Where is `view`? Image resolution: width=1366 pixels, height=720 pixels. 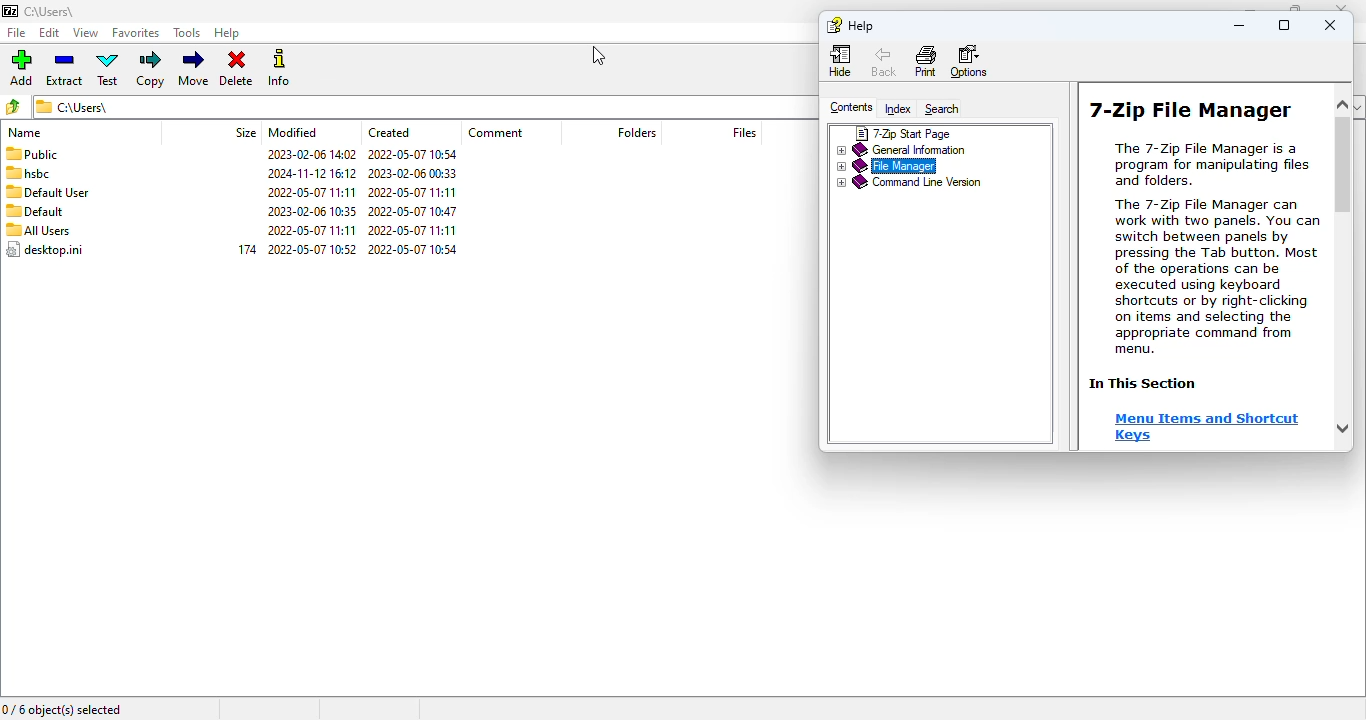
view is located at coordinates (87, 33).